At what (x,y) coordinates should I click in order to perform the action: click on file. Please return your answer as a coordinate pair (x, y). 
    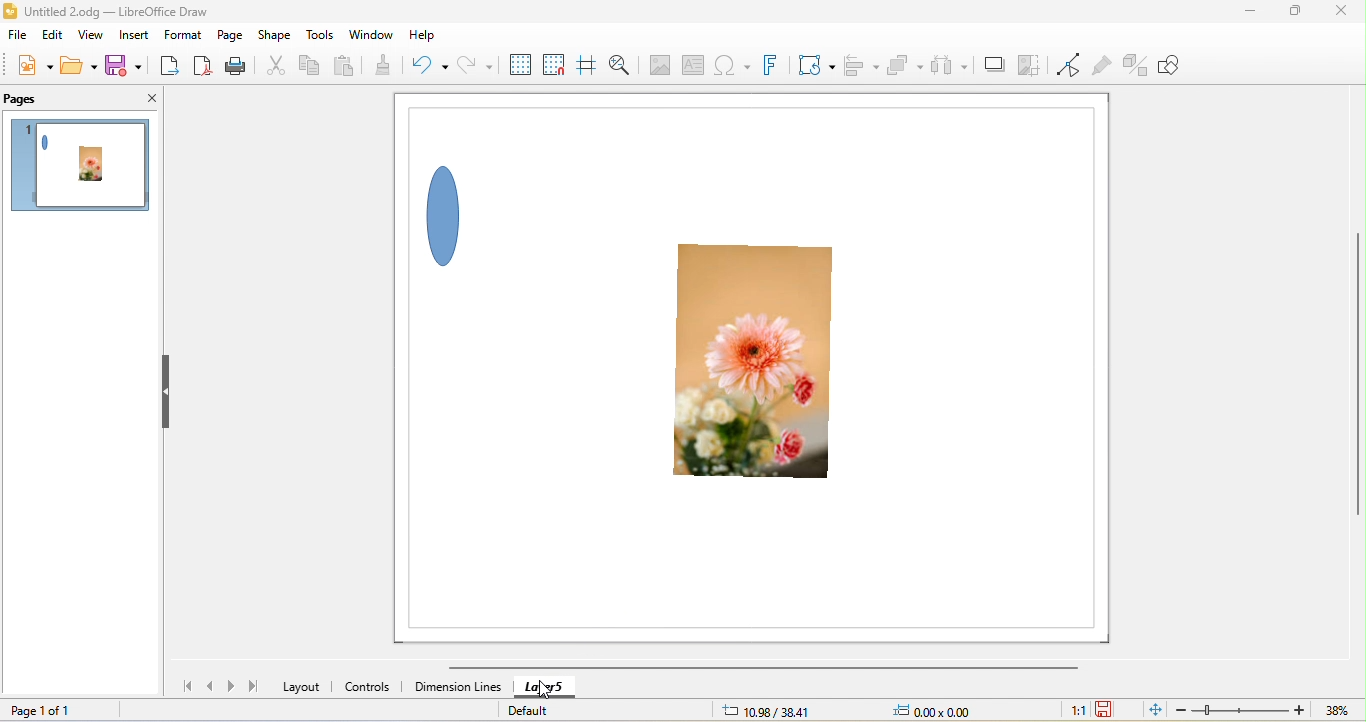
    Looking at the image, I should click on (20, 38).